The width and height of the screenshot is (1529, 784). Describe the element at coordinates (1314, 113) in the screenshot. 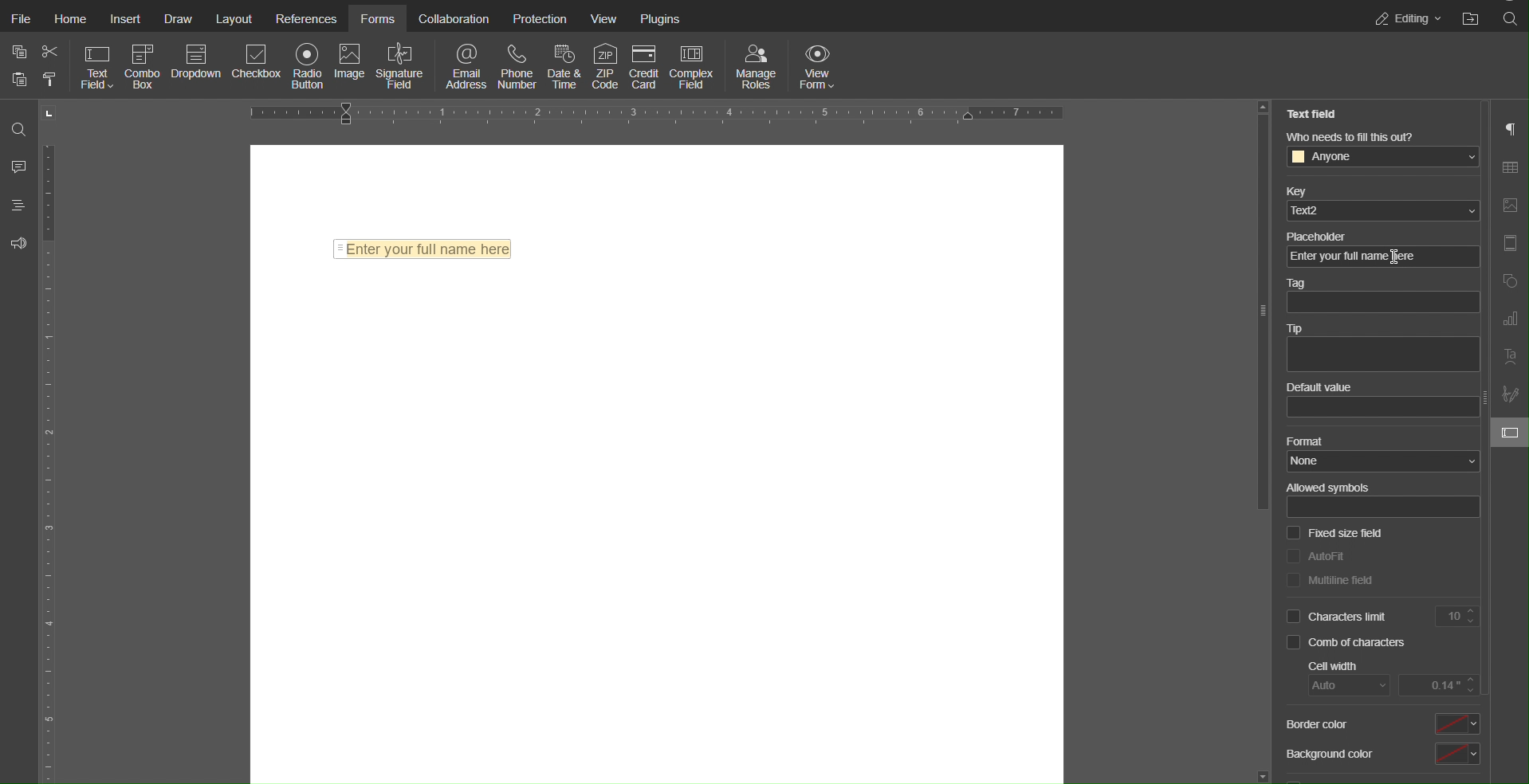

I see `Text Field` at that location.